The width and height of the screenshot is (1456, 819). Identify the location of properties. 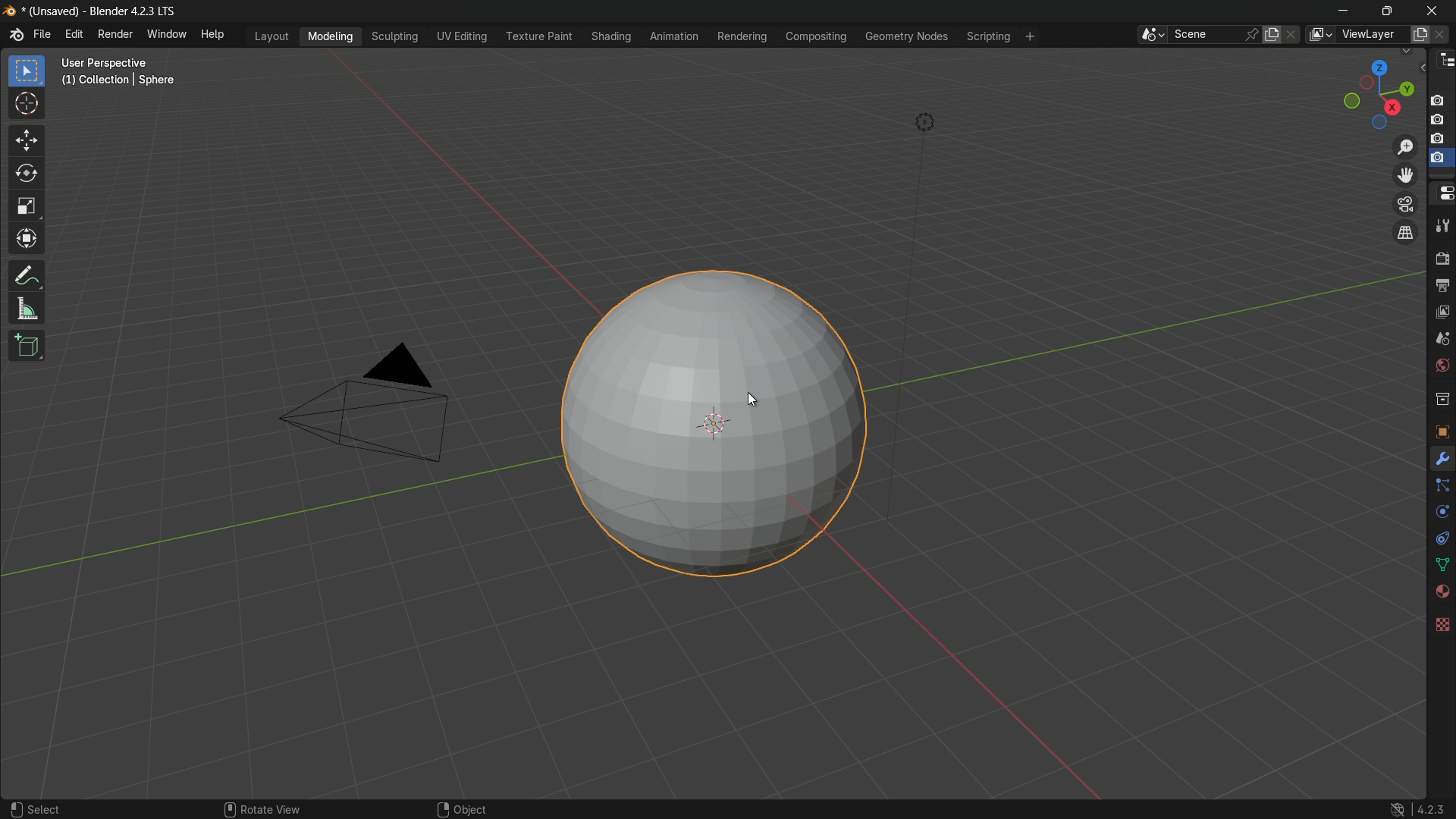
(1442, 194).